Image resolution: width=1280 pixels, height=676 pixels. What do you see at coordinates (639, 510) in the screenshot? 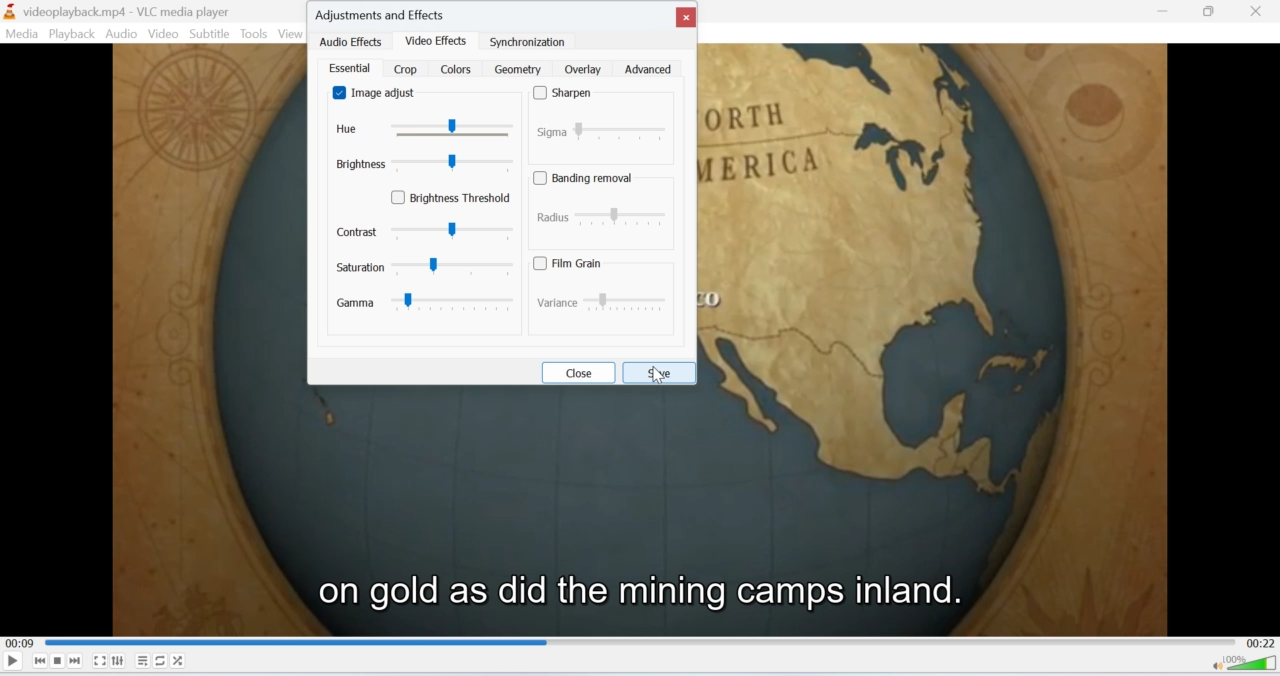
I see `video playback` at bounding box center [639, 510].